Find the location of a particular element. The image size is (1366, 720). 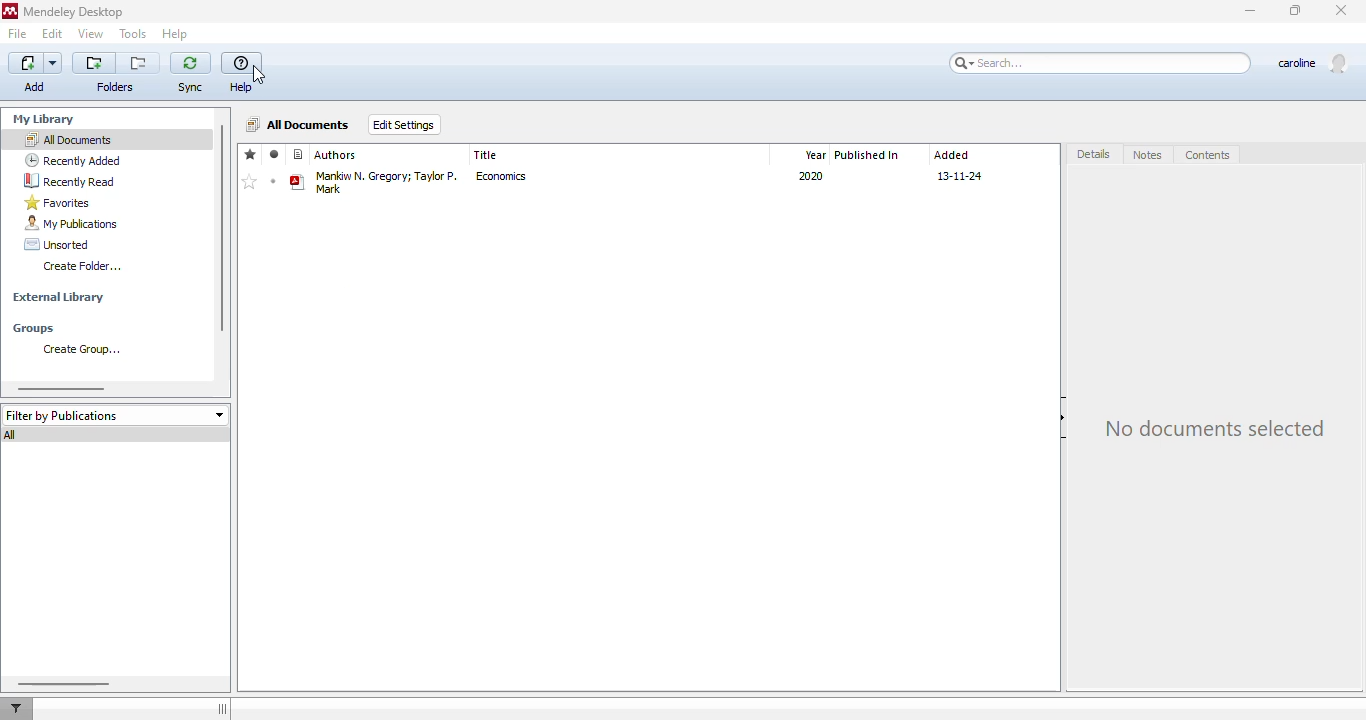

Mankiw N. Gregory Taylor P. Mark is located at coordinates (387, 183).